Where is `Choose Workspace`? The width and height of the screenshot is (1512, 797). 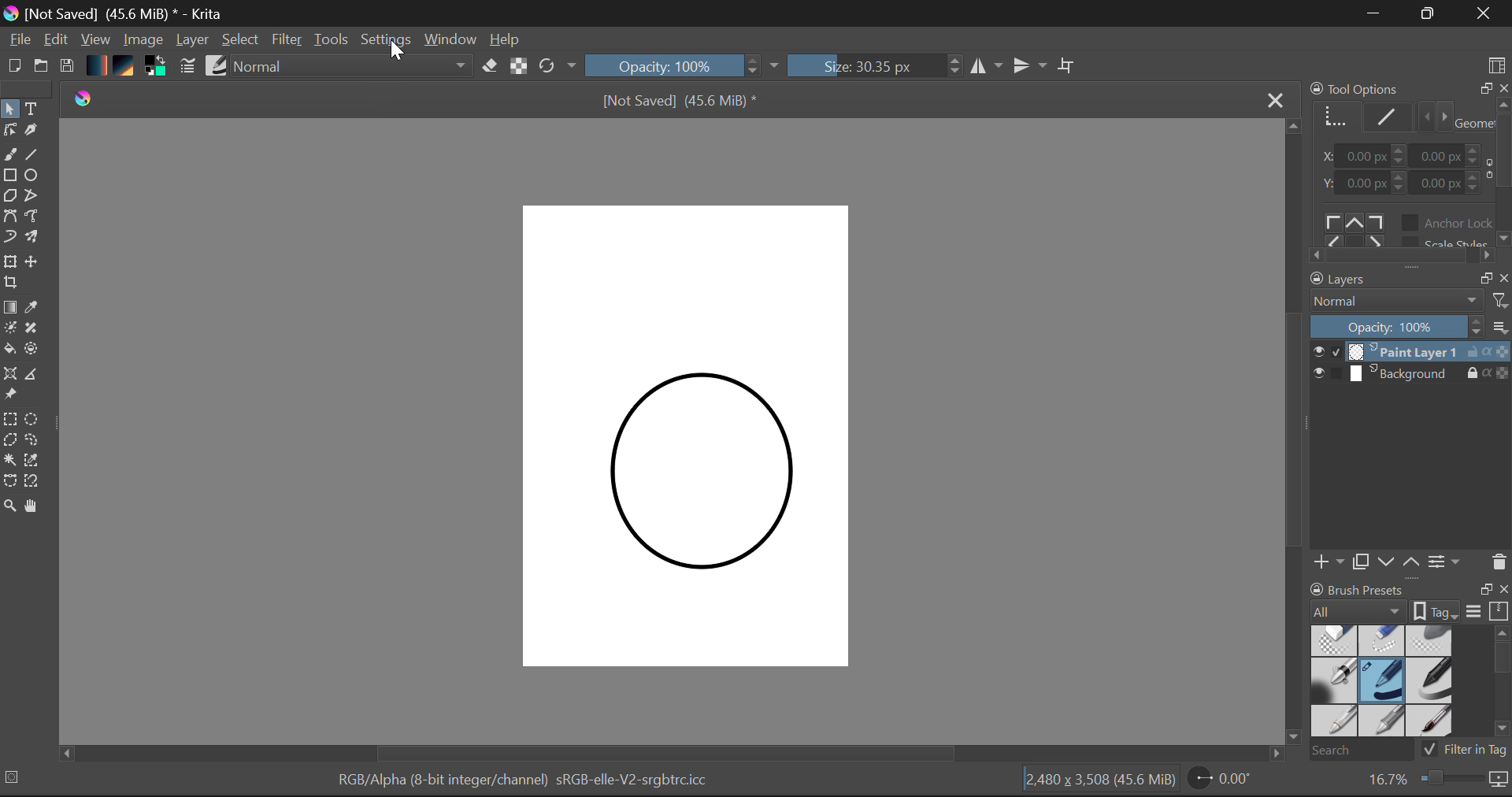 Choose Workspace is located at coordinates (1498, 64).